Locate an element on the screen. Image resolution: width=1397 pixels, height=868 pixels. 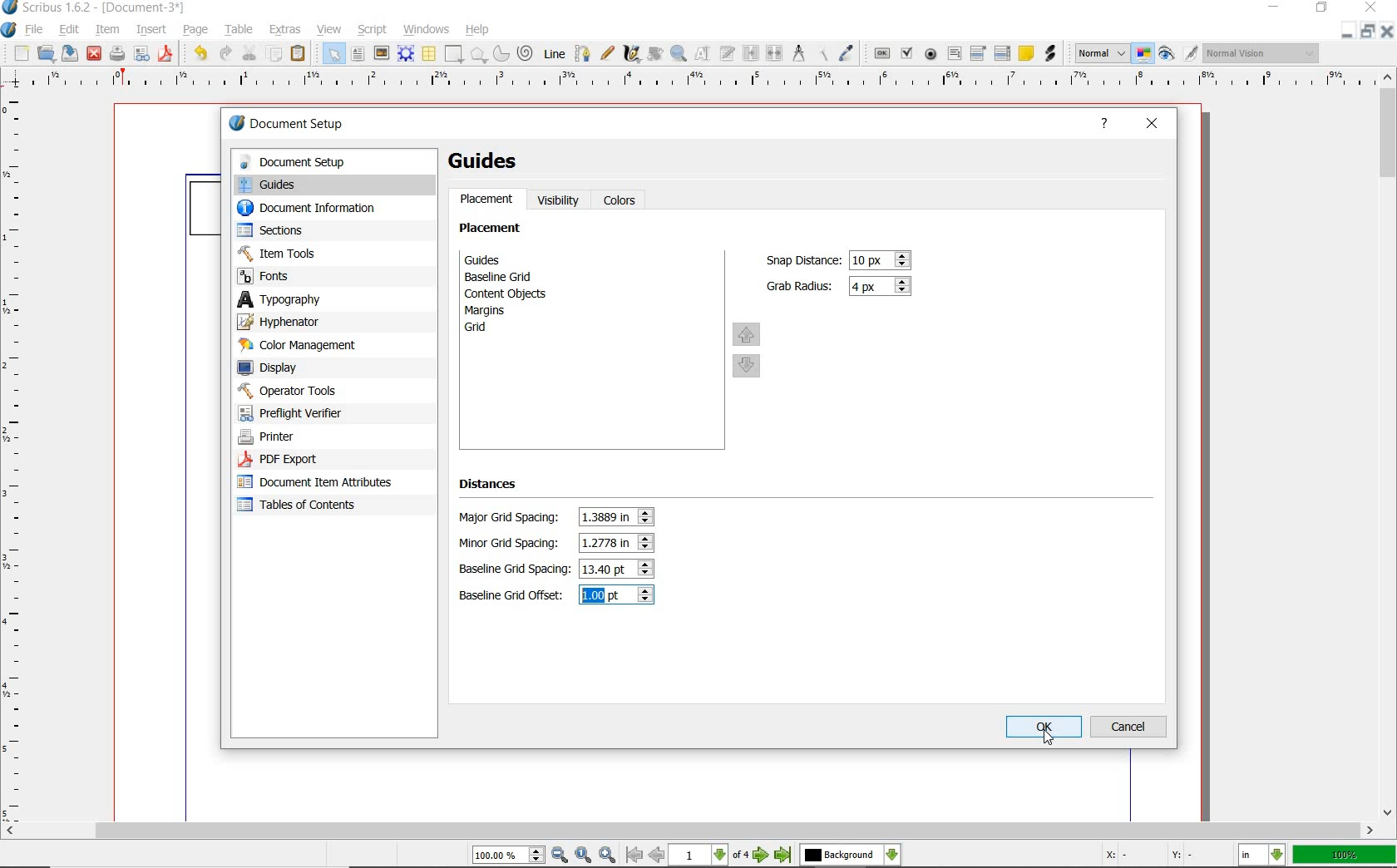
zoom to 100% is located at coordinates (585, 856).